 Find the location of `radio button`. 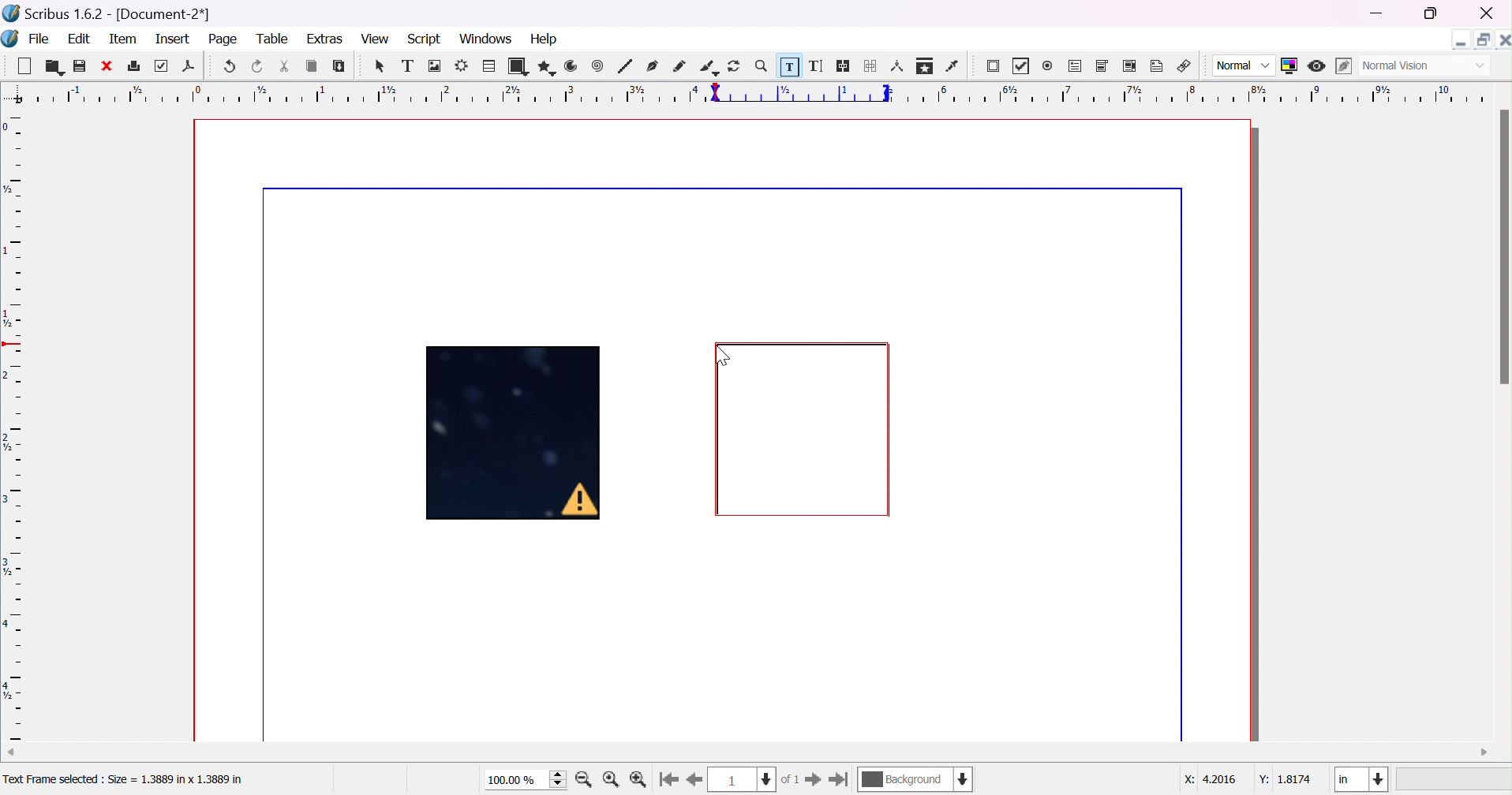

radio button is located at coordinates (1049, 66).